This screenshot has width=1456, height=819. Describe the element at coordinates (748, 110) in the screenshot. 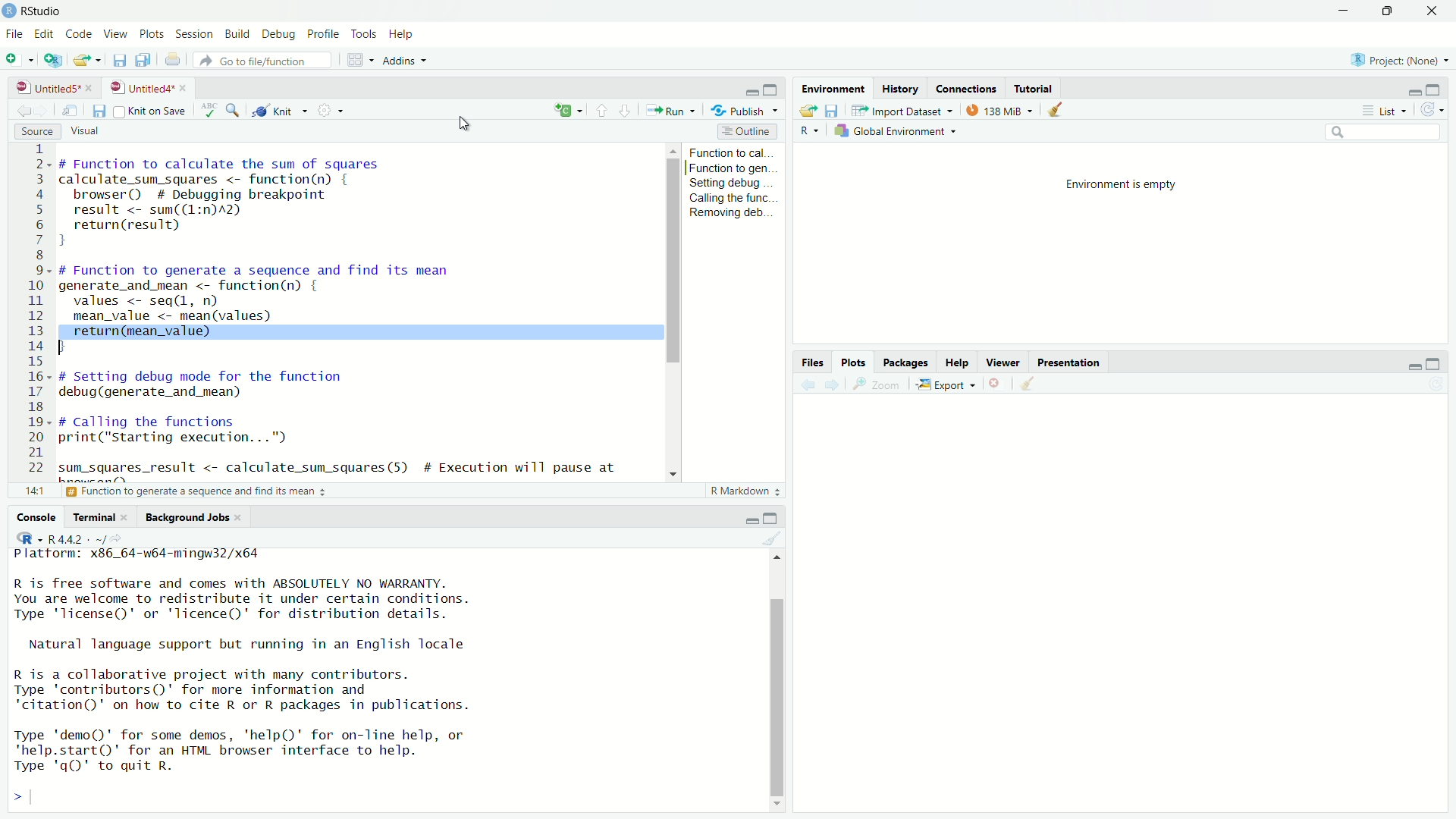

I see `publish` at that location.